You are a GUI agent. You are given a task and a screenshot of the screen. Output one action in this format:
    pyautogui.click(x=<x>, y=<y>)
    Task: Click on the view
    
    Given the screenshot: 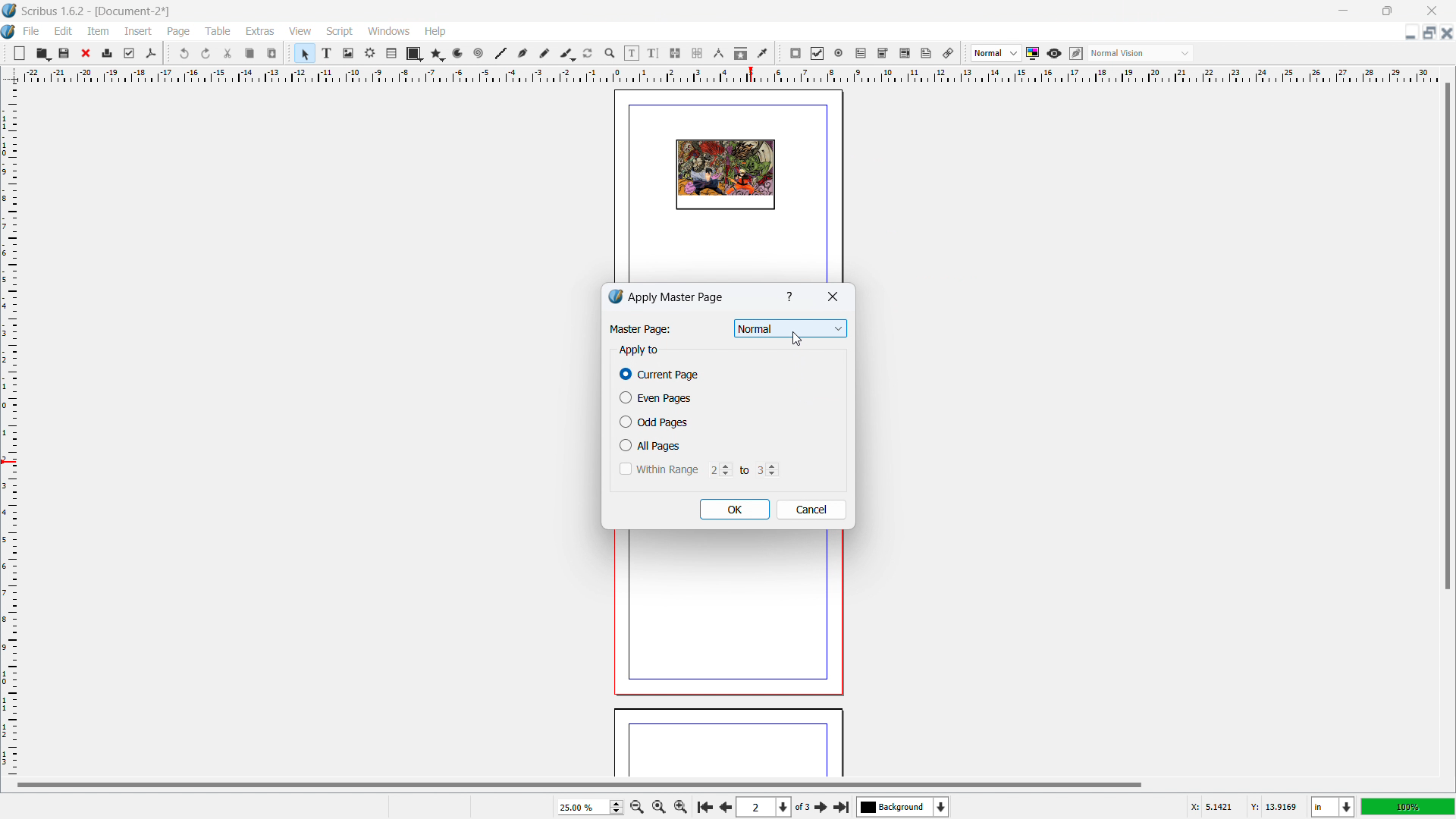 What is the action you would take?
    pyautogui.click(x=300, y=32)
    